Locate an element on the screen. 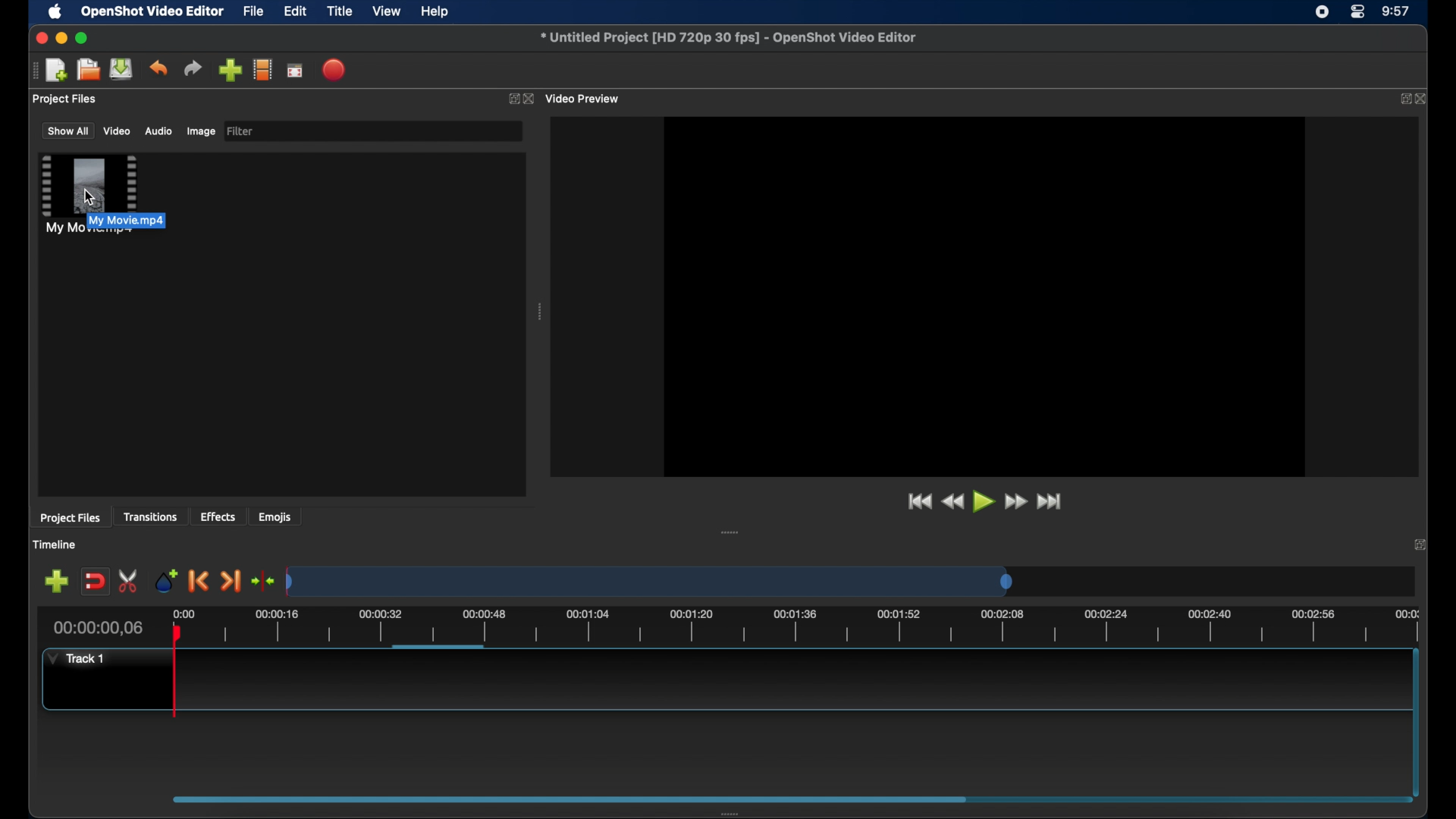  add marker is located at coordinates (166, 579).